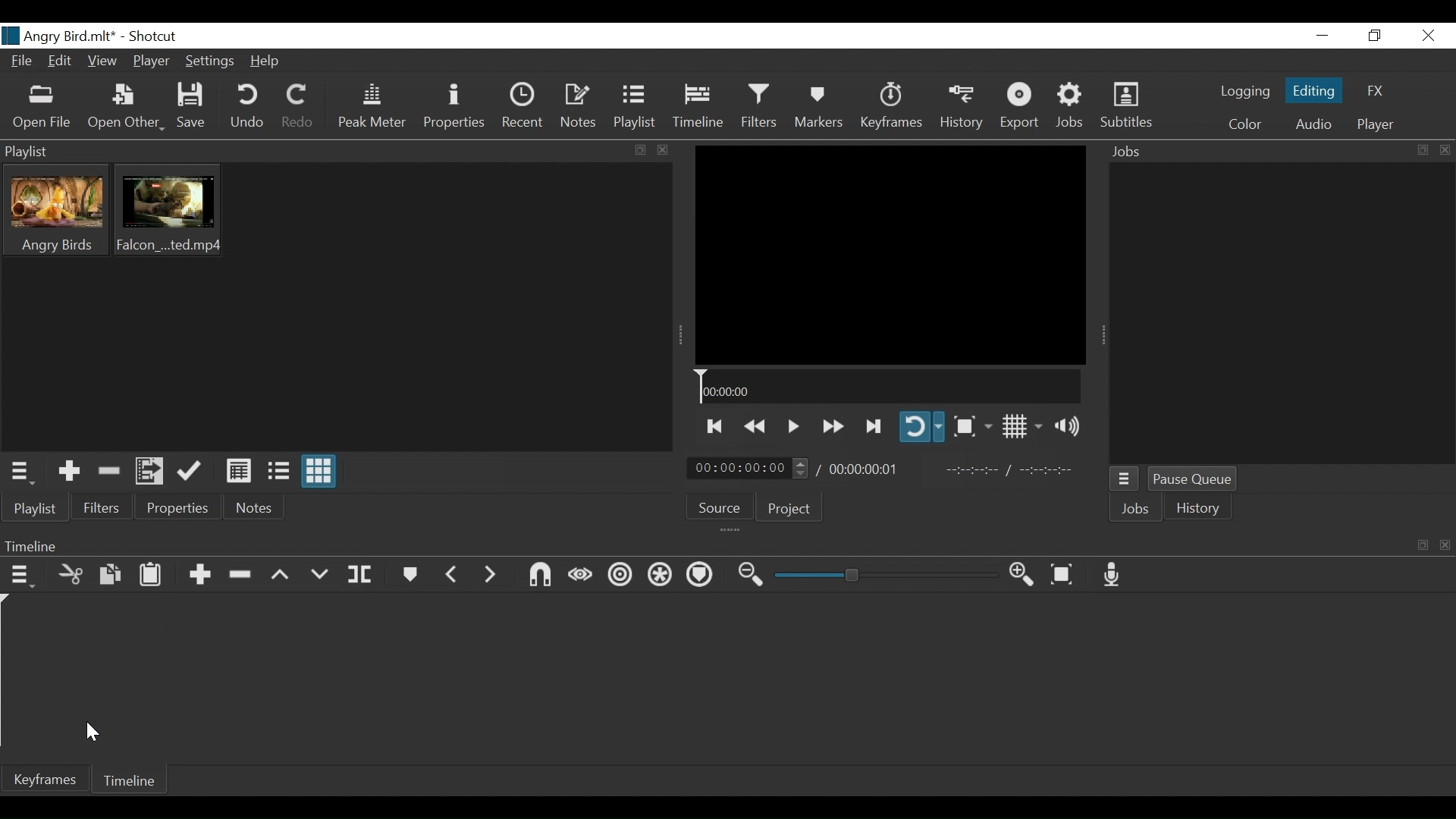 Image resolution: width=1456 pixels, height=819 pixels. I want to click on Show volume control, so click(1065, 427).